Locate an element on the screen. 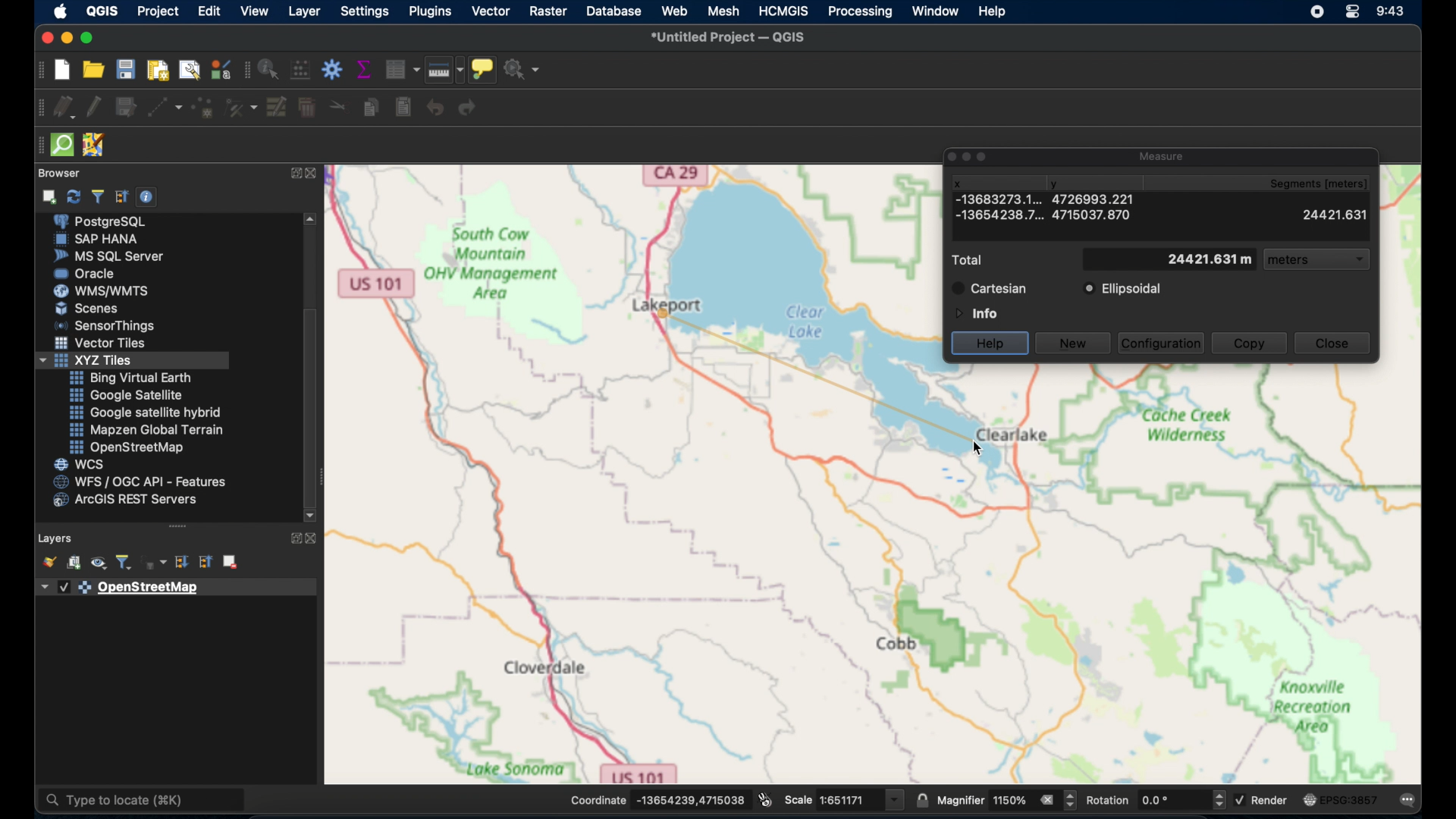 The image size is (1456, 819). delete selected  is located at coordinates (306, 108).